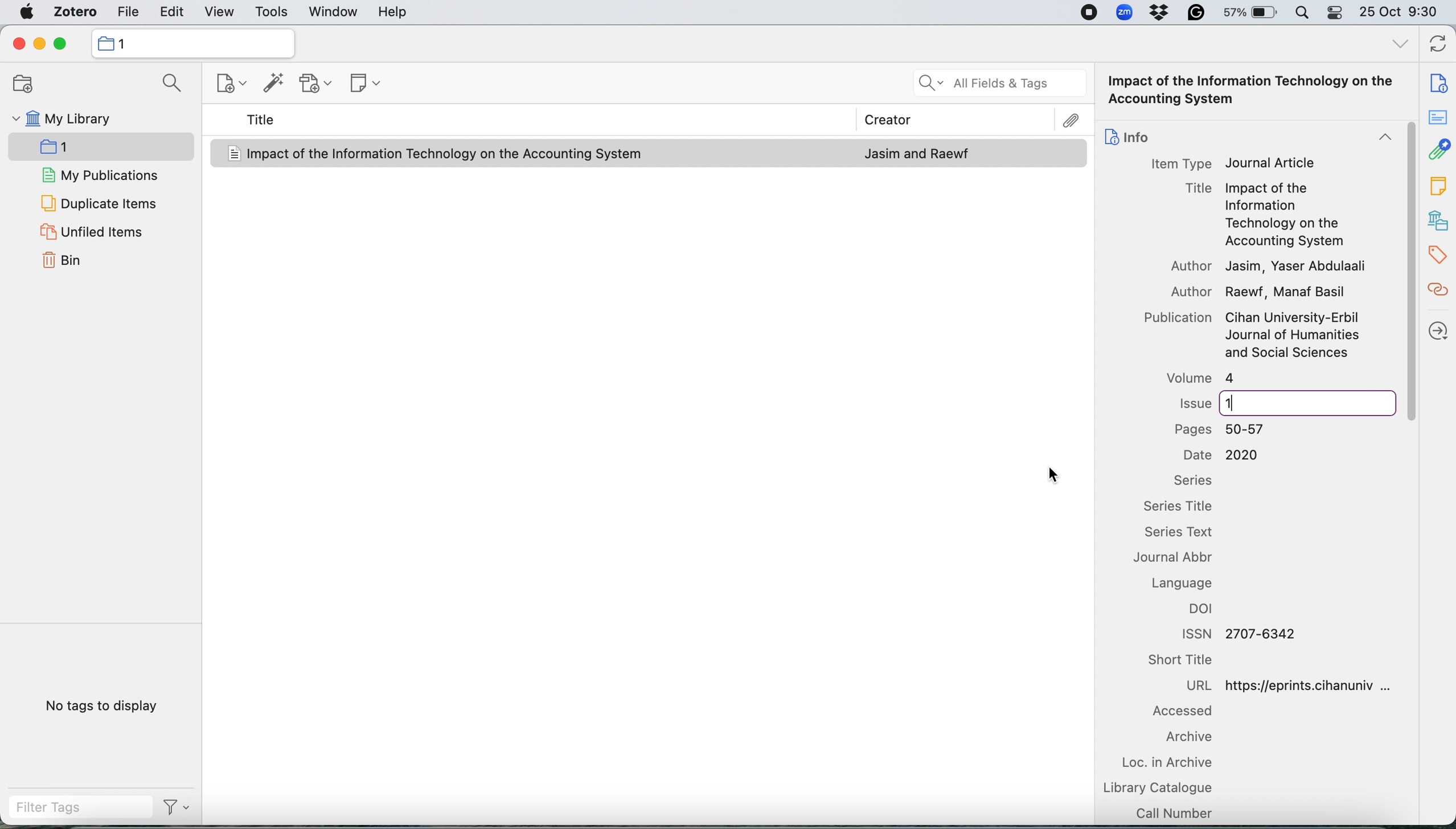 This screenshot has width=1456, height=829. What do you see at coordinates (1160, 787) in the screenshot?
I see `library catalogue` at bounding box center [1160, 787].